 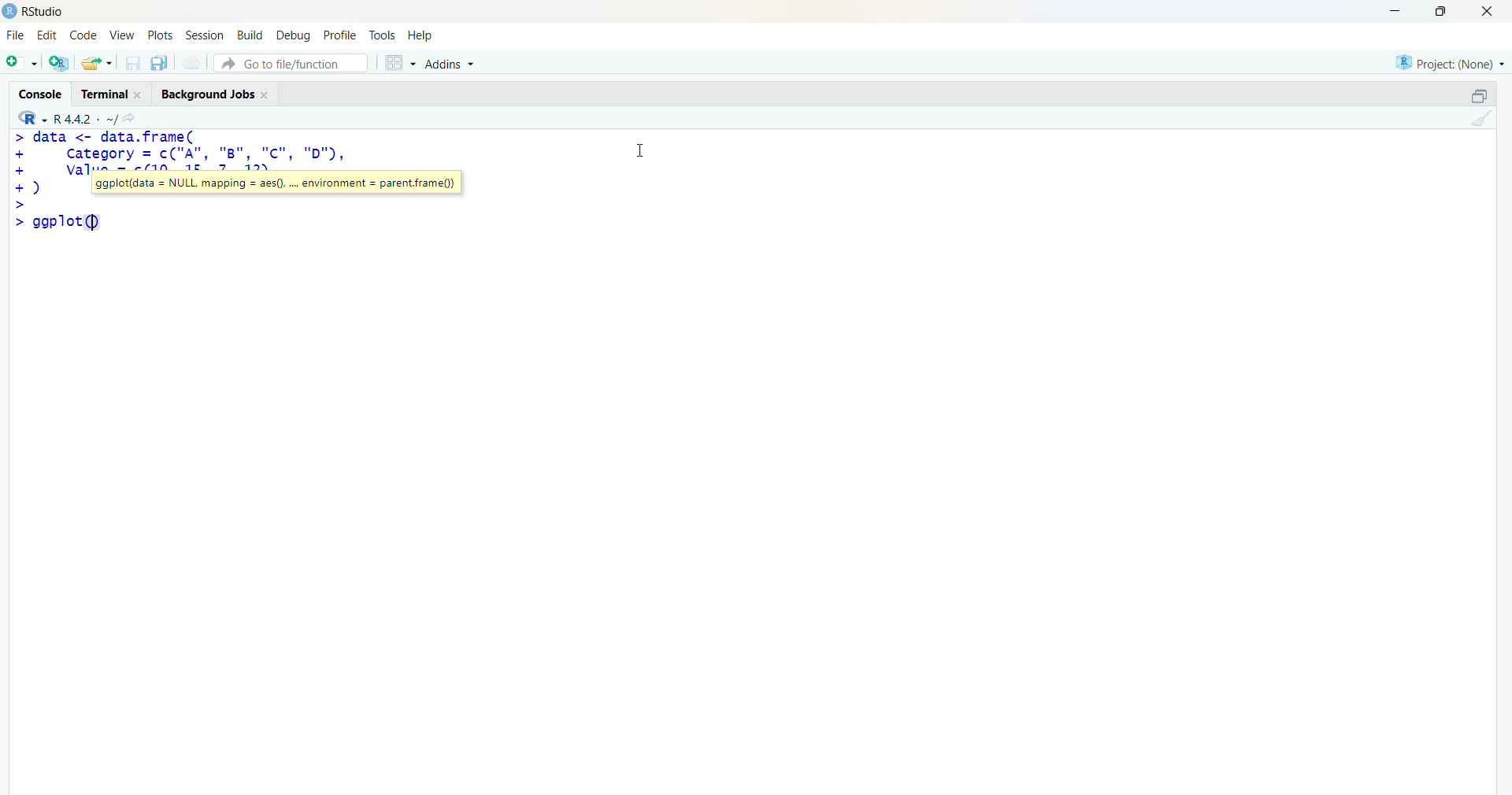 I want to click on Background Jobs, so click(x=214, y=91).